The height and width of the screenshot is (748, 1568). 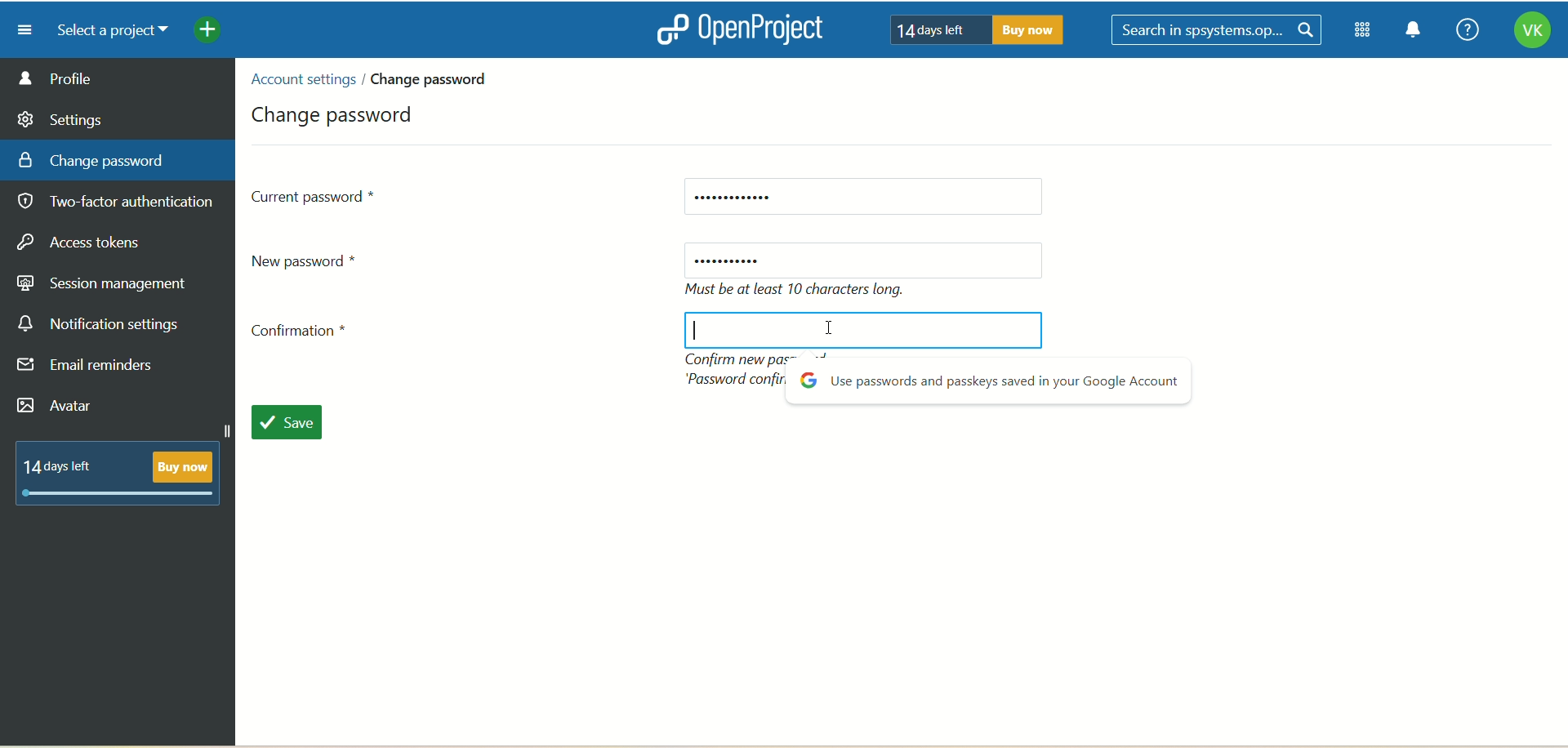 I want to click on select a project, so click(x=106, y=31).